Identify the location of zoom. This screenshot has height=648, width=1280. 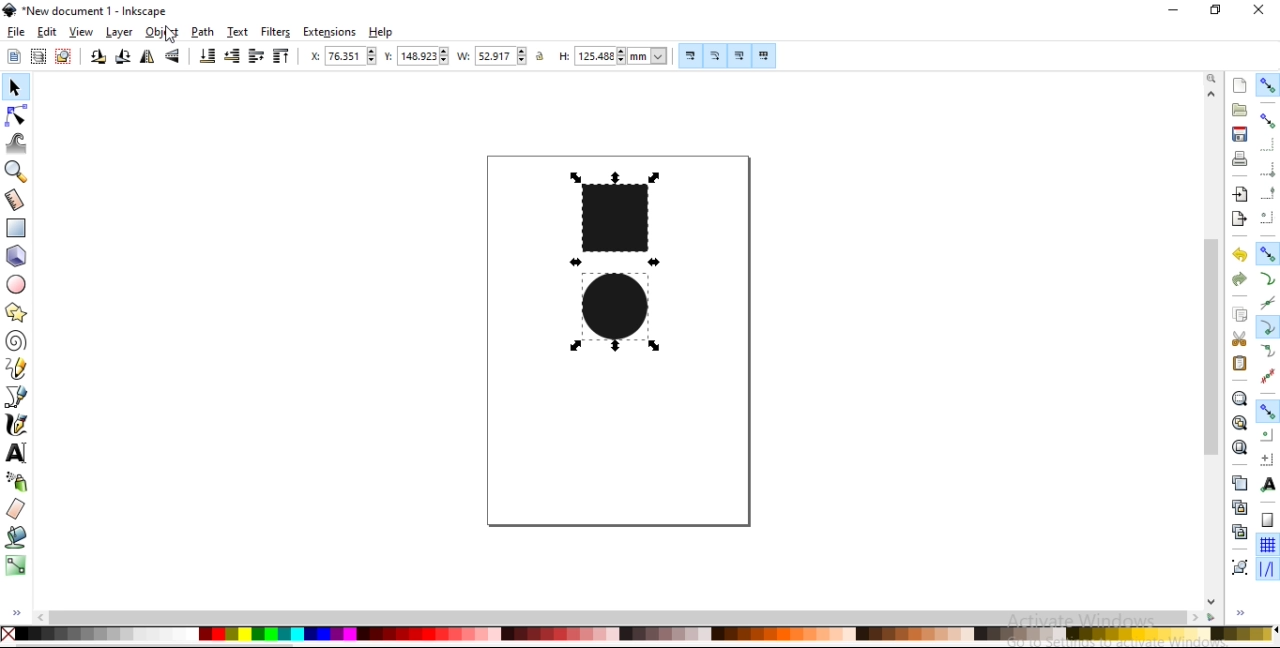
(1214, 79).